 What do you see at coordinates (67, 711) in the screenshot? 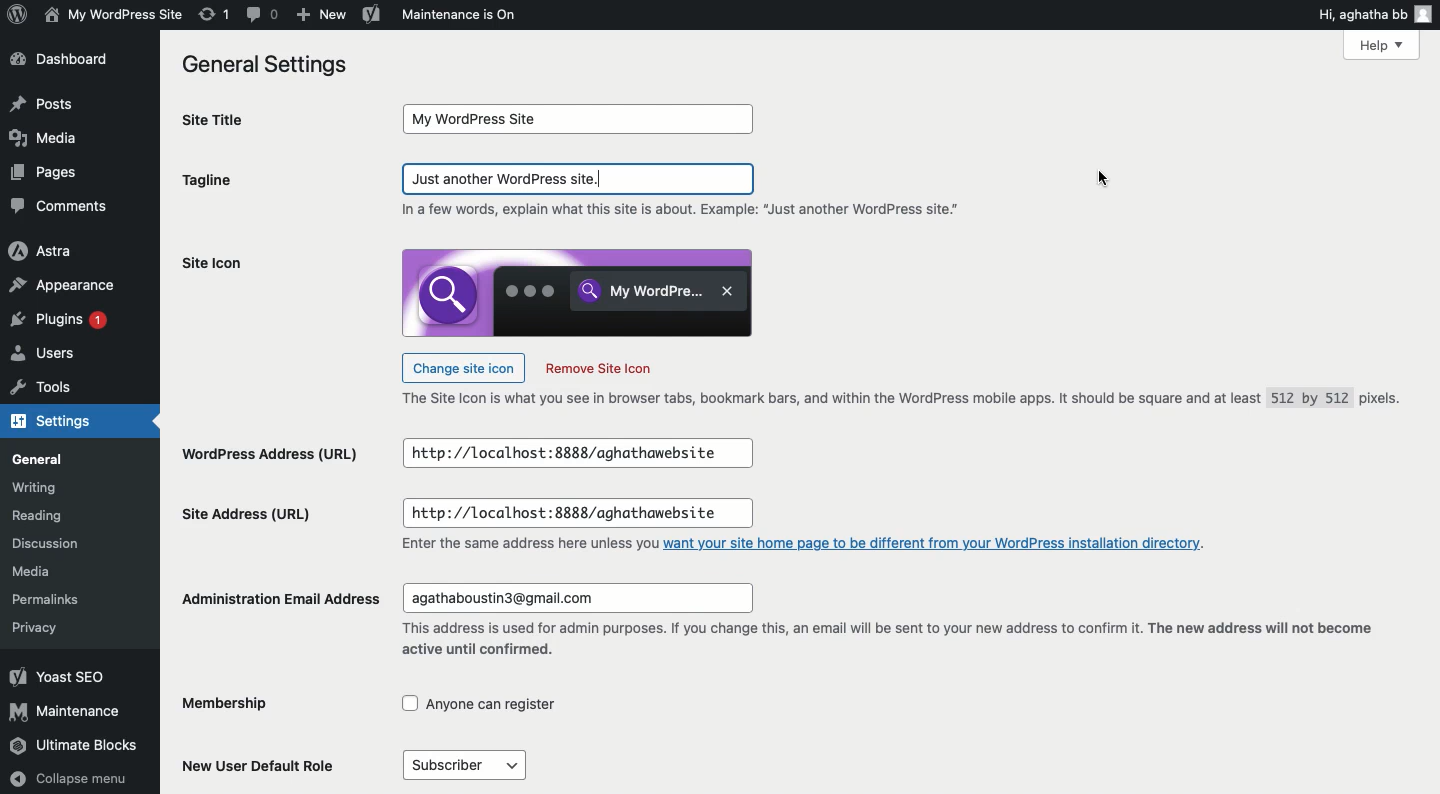
I see `Maintenance` at bounding box center [67, 711].